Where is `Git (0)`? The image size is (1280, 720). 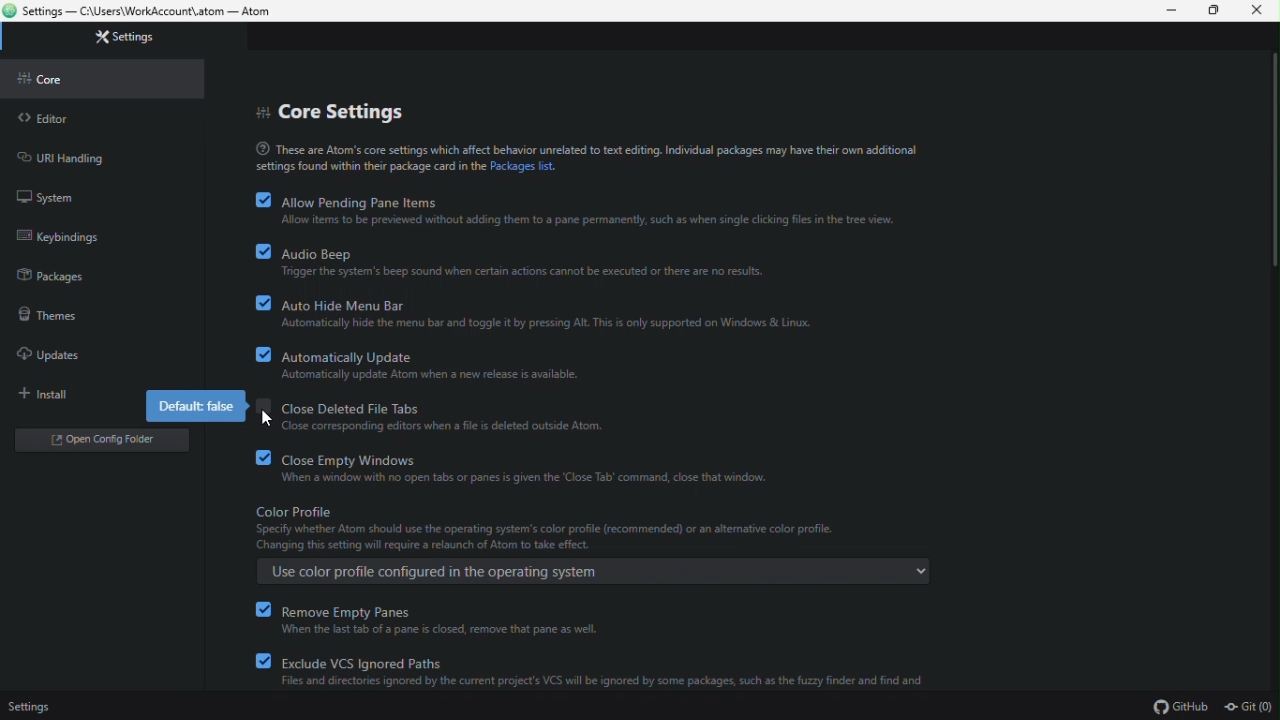
Git (0) is located at coordinates (1247, 706).